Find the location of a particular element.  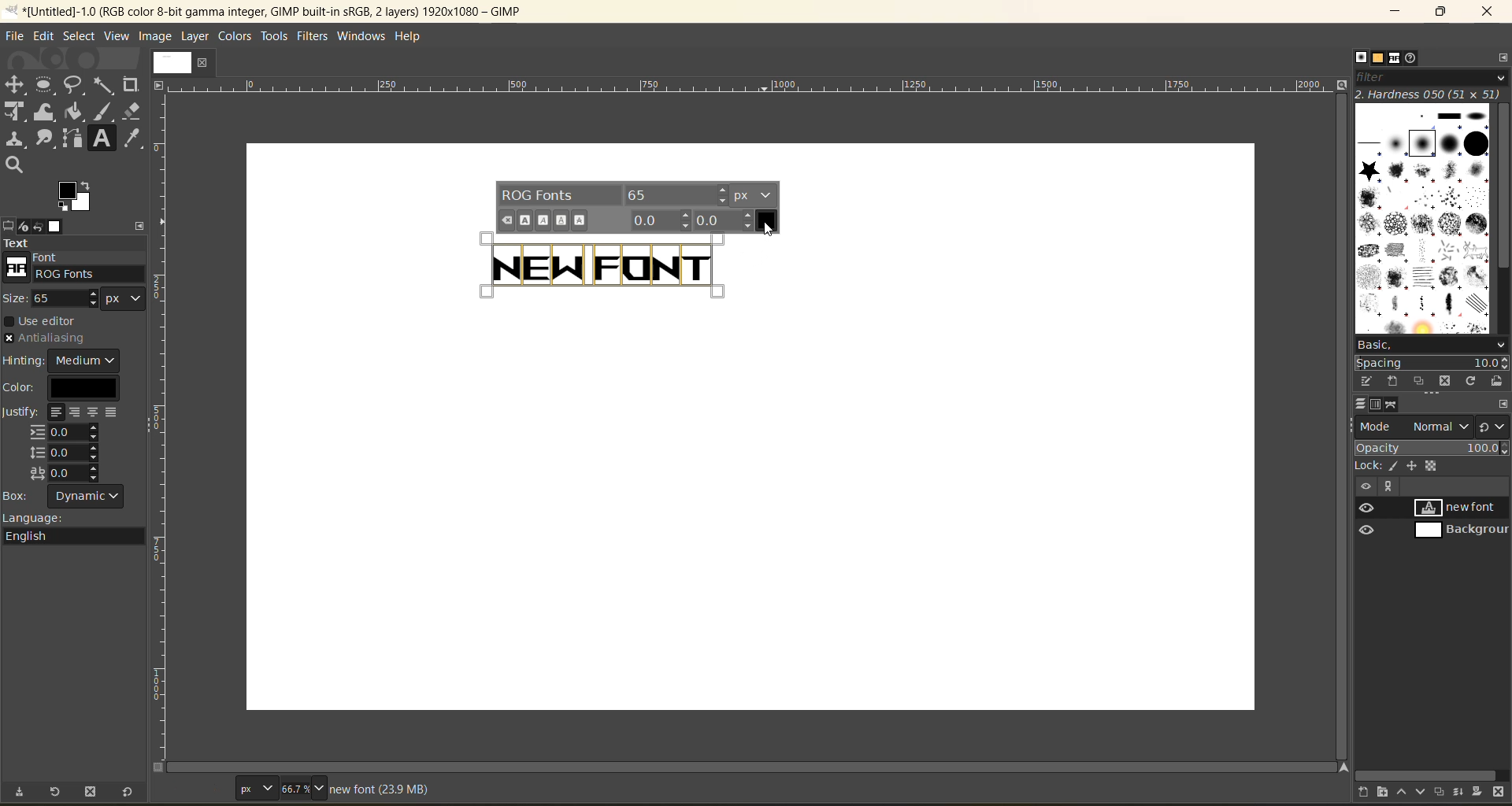

filters is located at coordinates (313, 39).